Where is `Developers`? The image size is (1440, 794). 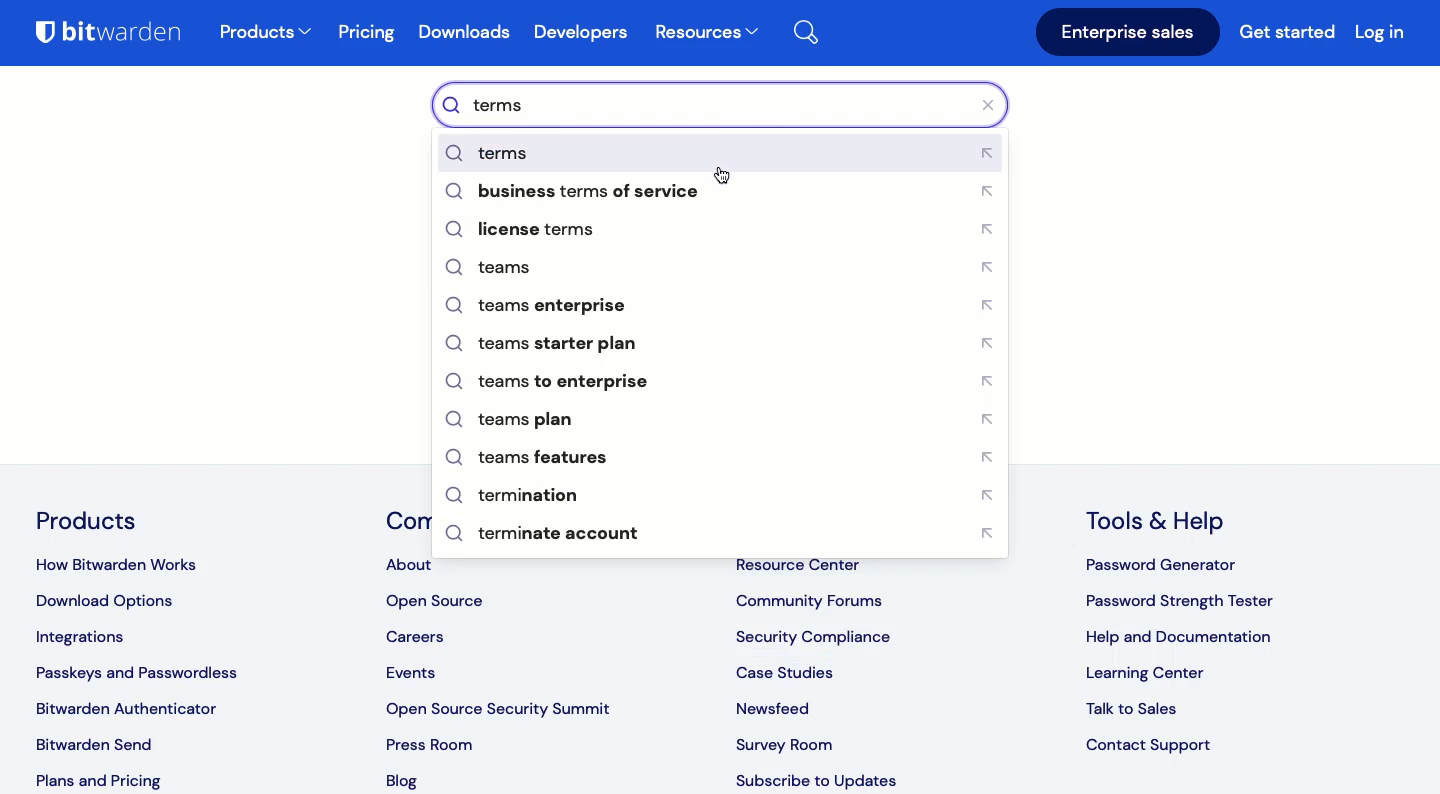
Developers is located at coordinates (580, 33).